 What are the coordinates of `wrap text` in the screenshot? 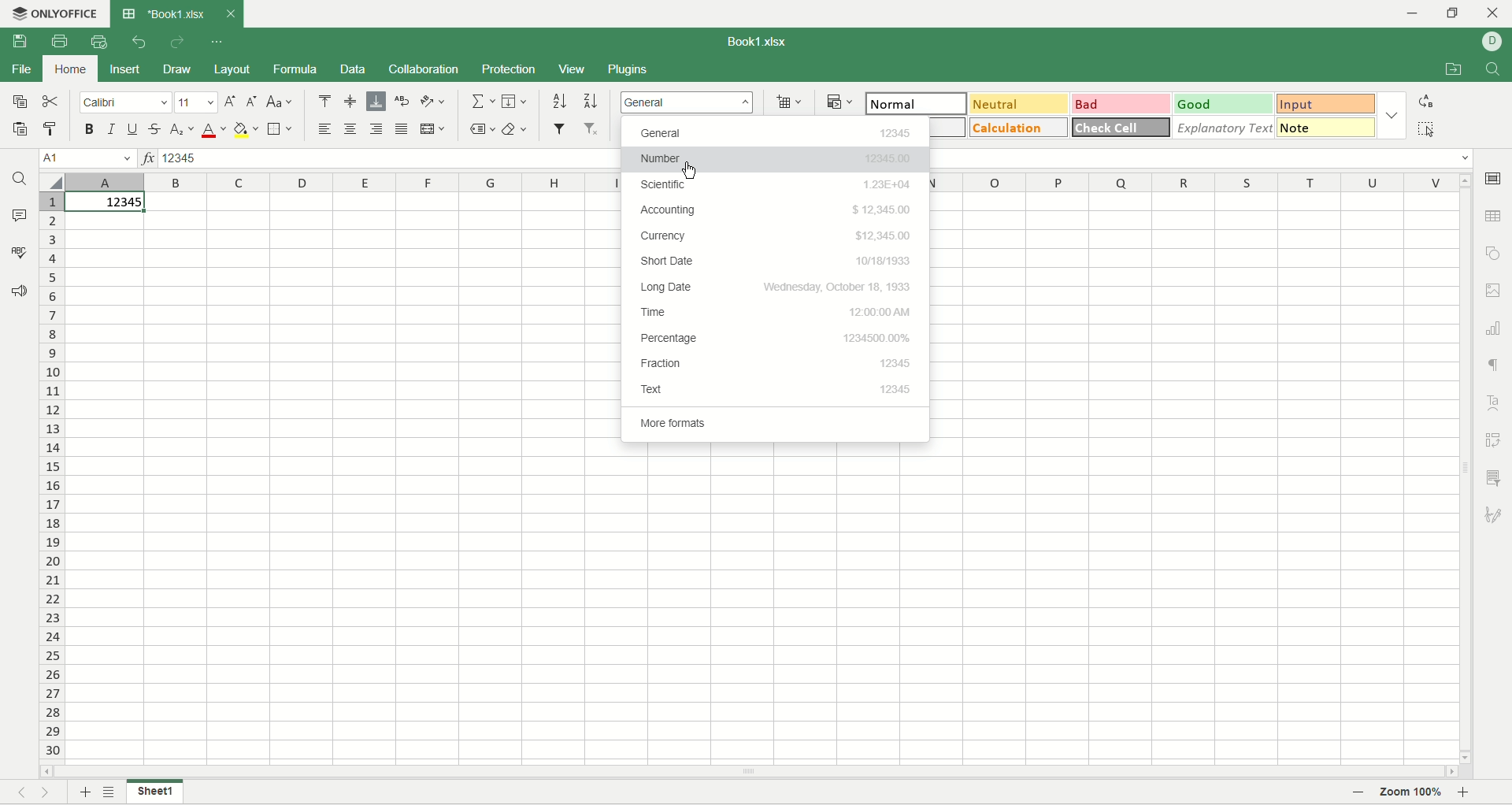 It's located at (403, 102).